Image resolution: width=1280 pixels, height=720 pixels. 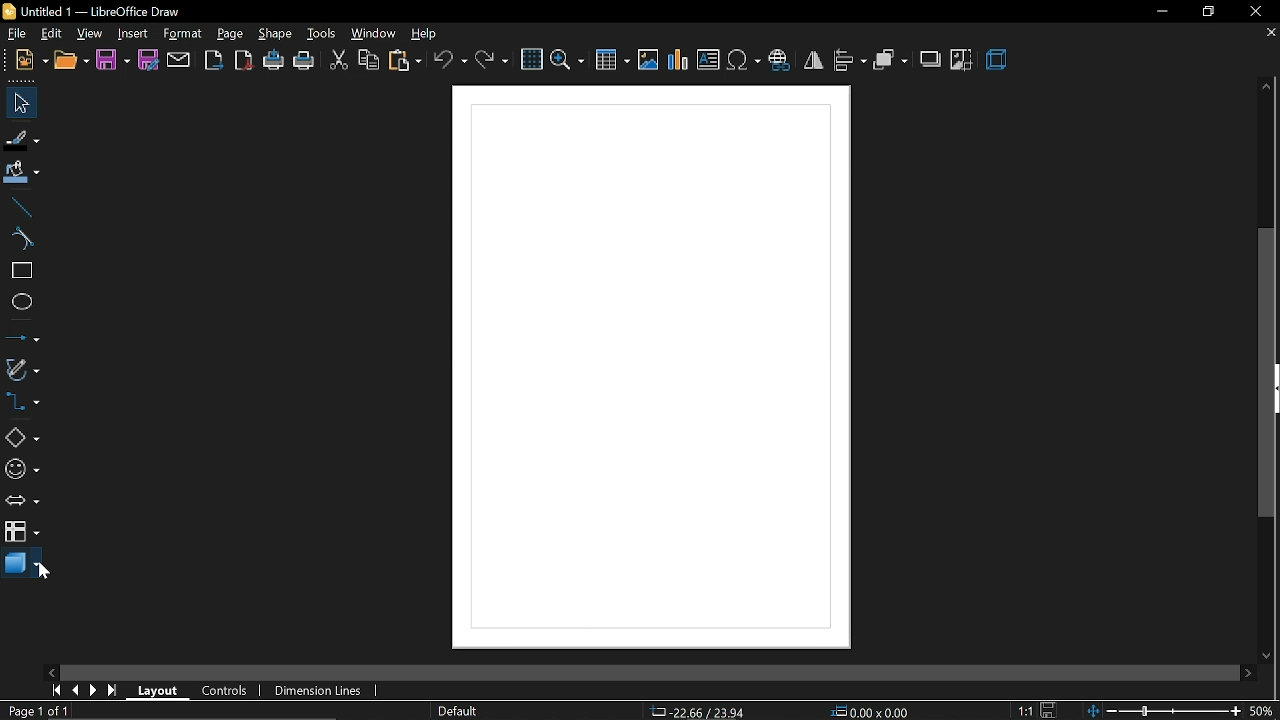 I want to click on move right, so click(x=1250, y=672).